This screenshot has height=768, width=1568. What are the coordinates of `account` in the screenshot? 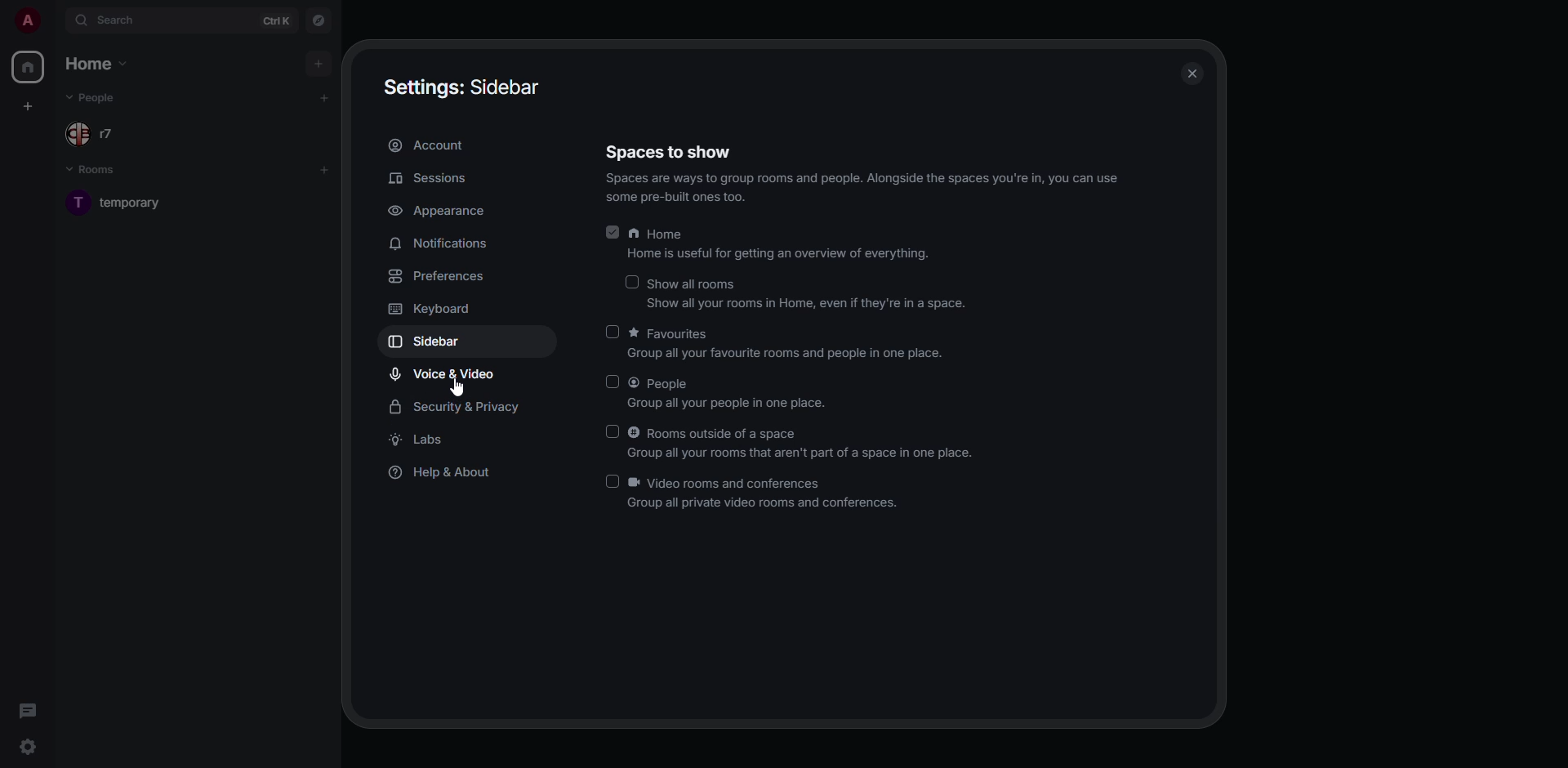 It's located at (430, 145).